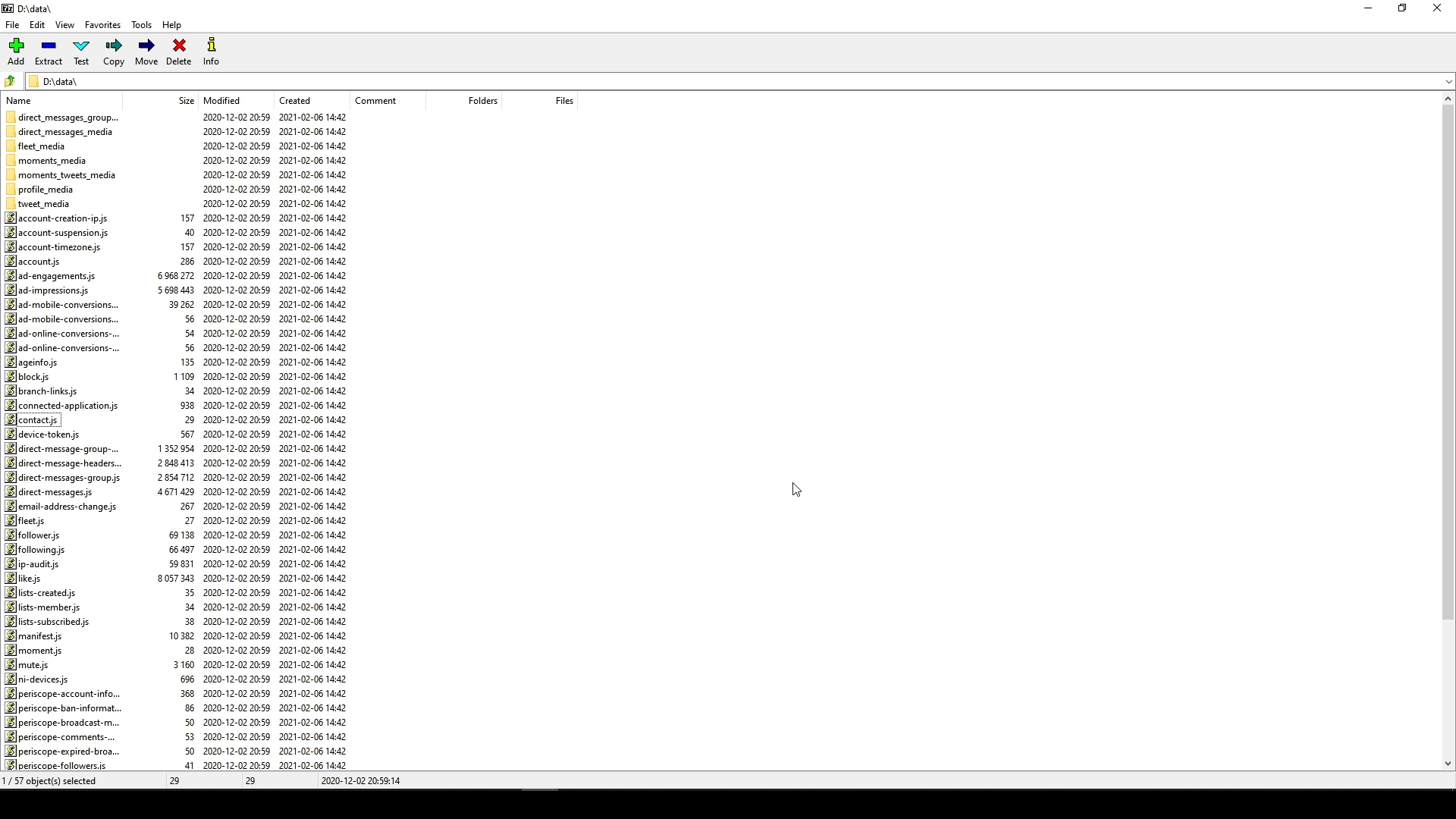 The width and height of the screenshot is (1456, 819). I want to click on email-address-change.js, so click(62, 507).